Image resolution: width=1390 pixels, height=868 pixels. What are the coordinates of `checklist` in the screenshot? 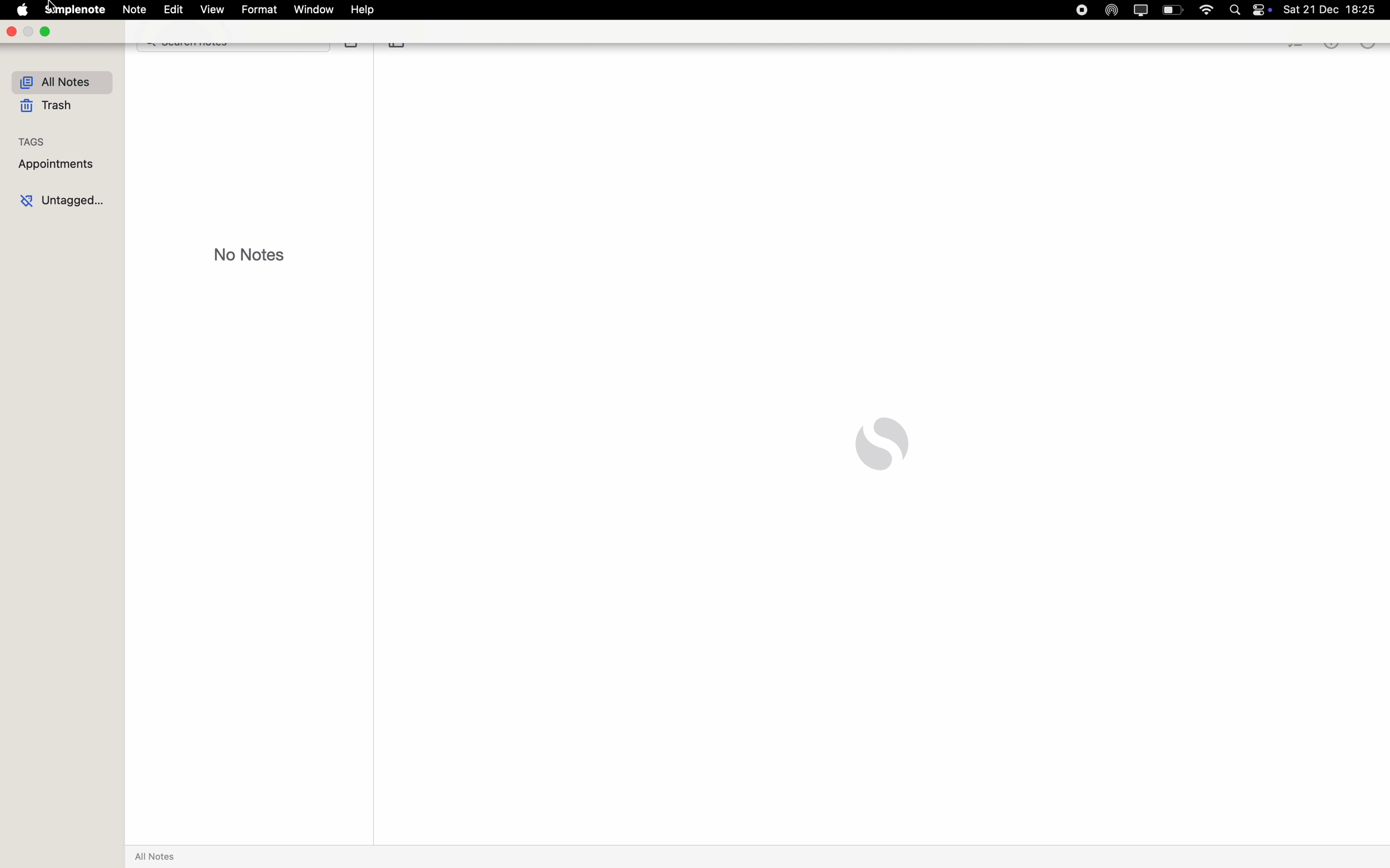 It's located at (1296, 49).